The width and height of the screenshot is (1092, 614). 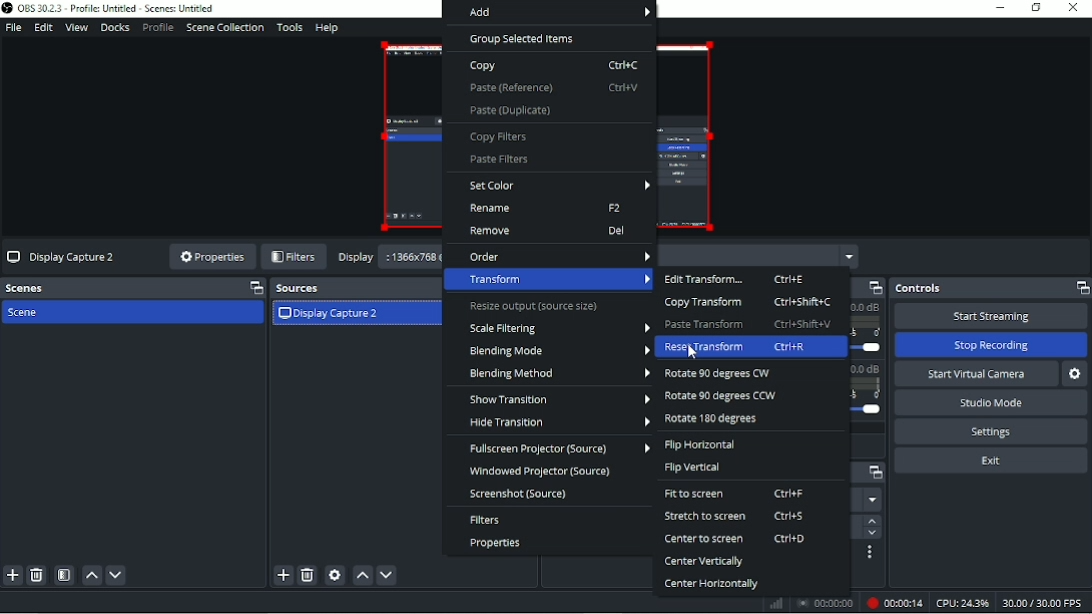 What do you see at coordinates (871, 534) in the screenshot?
I see `down arrow` at bounding box center [871, 534].